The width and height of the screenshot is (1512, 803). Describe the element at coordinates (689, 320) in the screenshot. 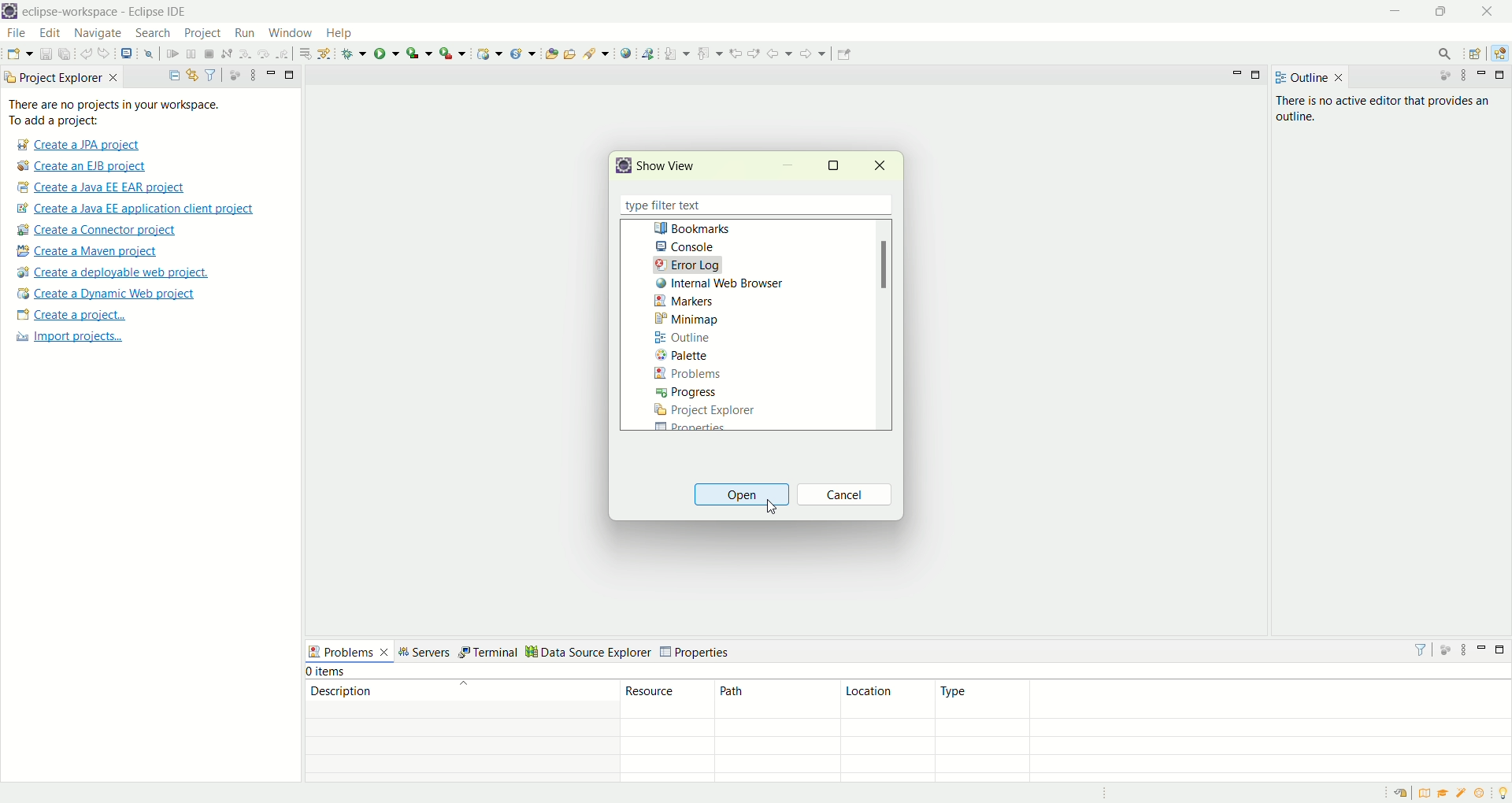

I see `minimap` at that location.